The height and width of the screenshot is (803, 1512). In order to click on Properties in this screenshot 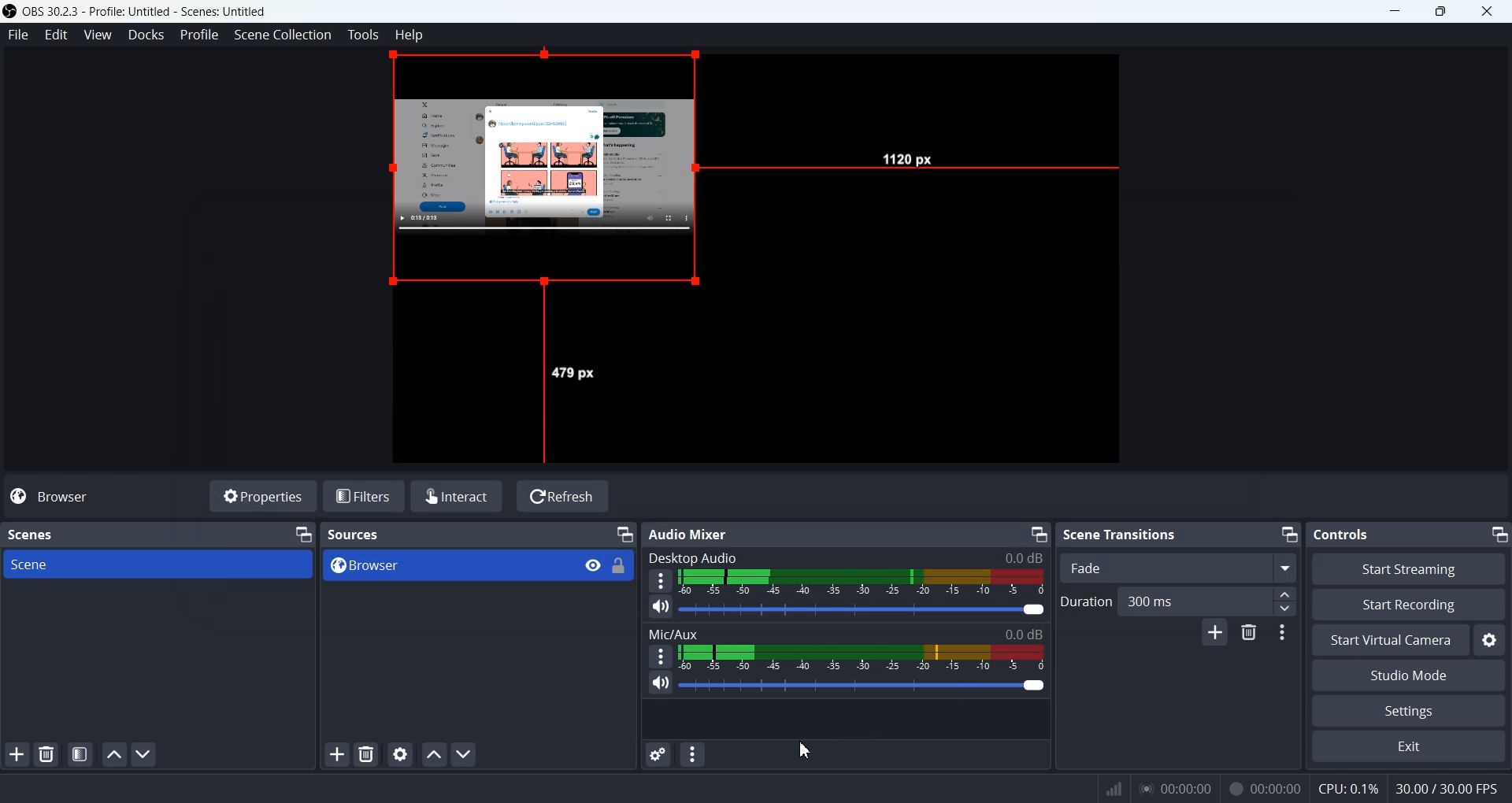, I will do `click(263, 495)`.